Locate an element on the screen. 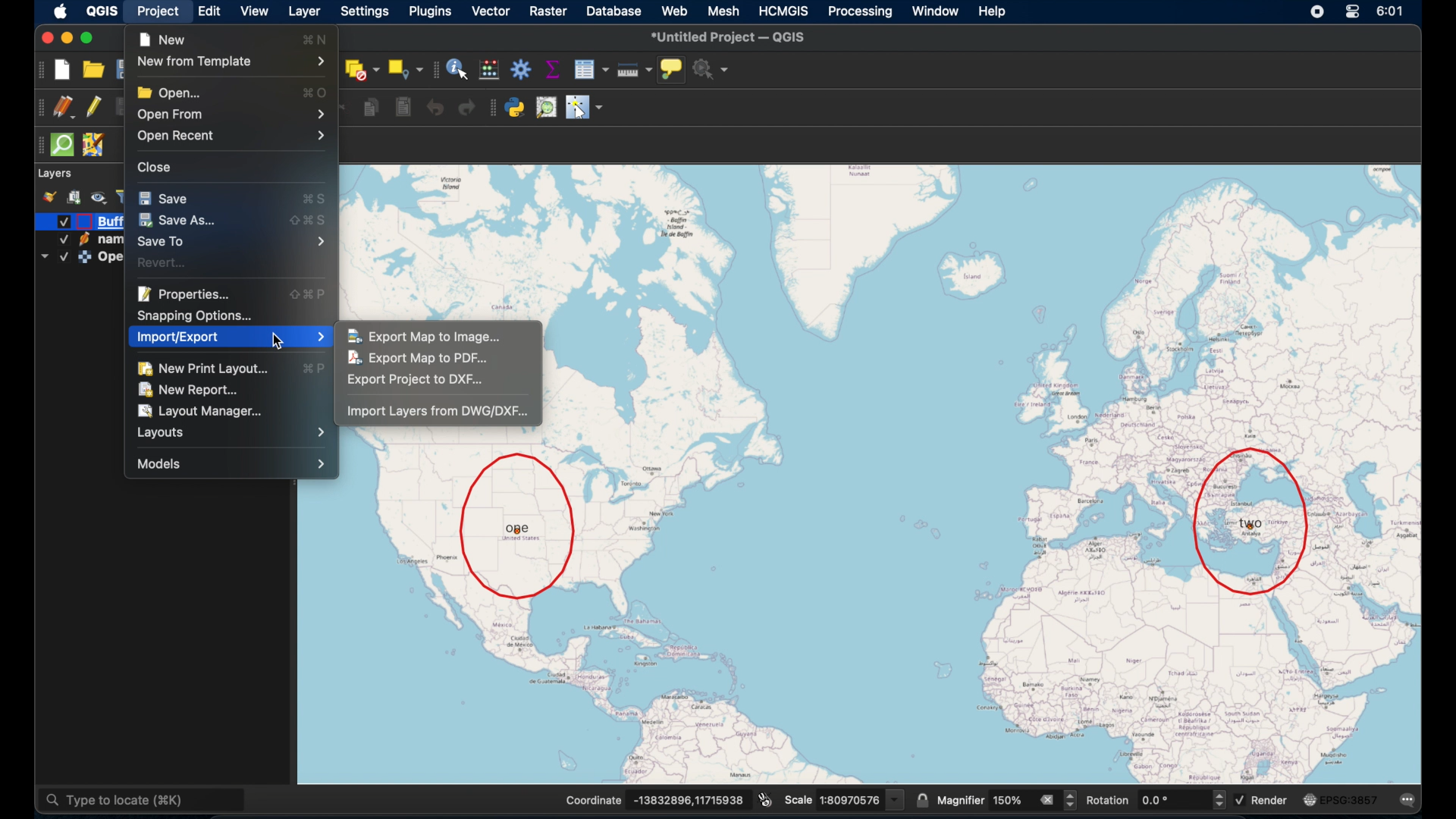 This screenshot has height=819, width=1456. close is located at coordinates (45, 36).